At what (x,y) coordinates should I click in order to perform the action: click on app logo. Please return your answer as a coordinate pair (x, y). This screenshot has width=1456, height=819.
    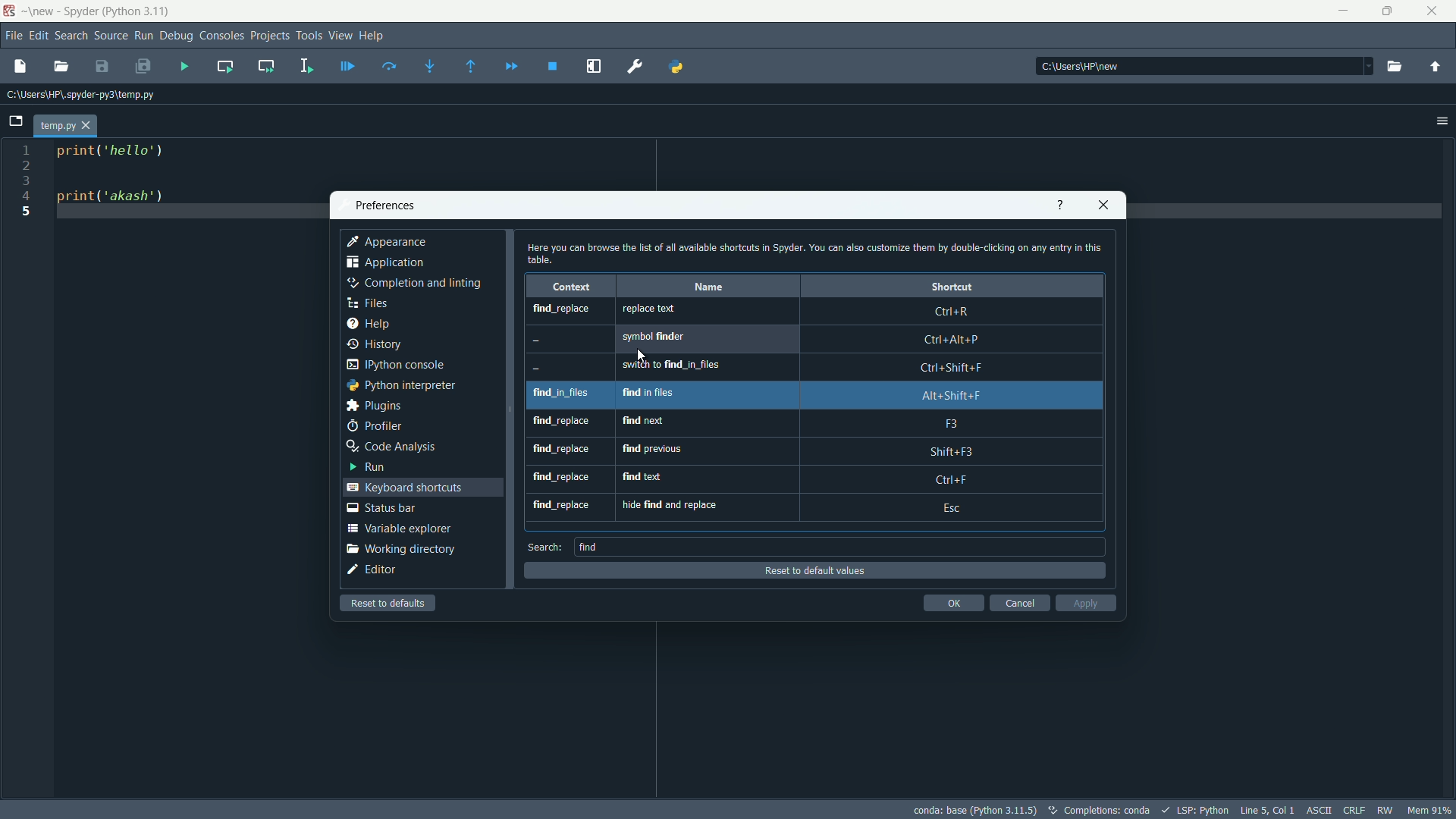
    Looking at the image, I should click on (9, 11).